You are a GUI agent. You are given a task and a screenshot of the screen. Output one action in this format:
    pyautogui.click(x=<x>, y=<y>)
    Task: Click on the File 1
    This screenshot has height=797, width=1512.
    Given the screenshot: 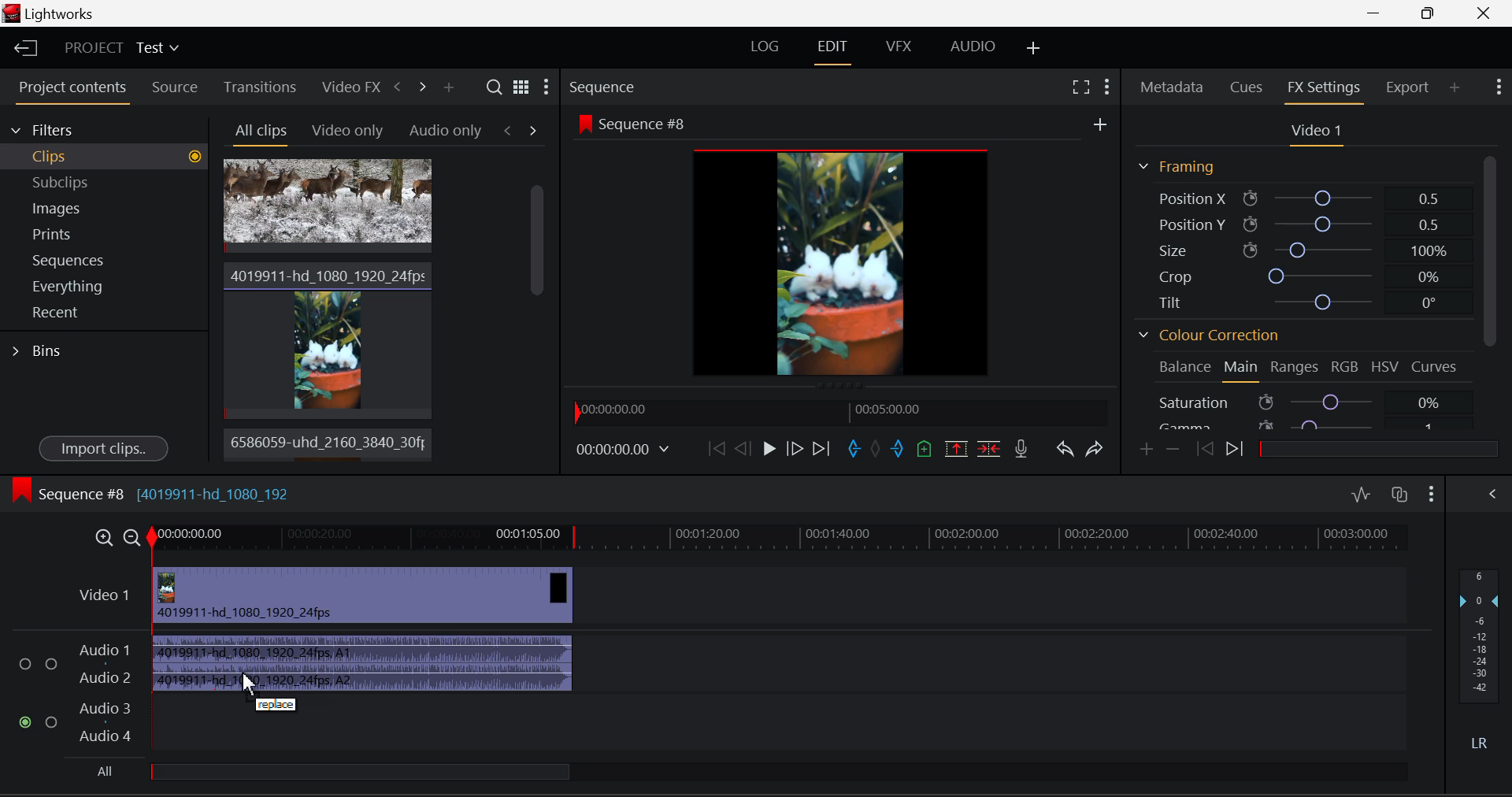 What is the action you would take?
    pyautogui.click(x=328, y=206)
    